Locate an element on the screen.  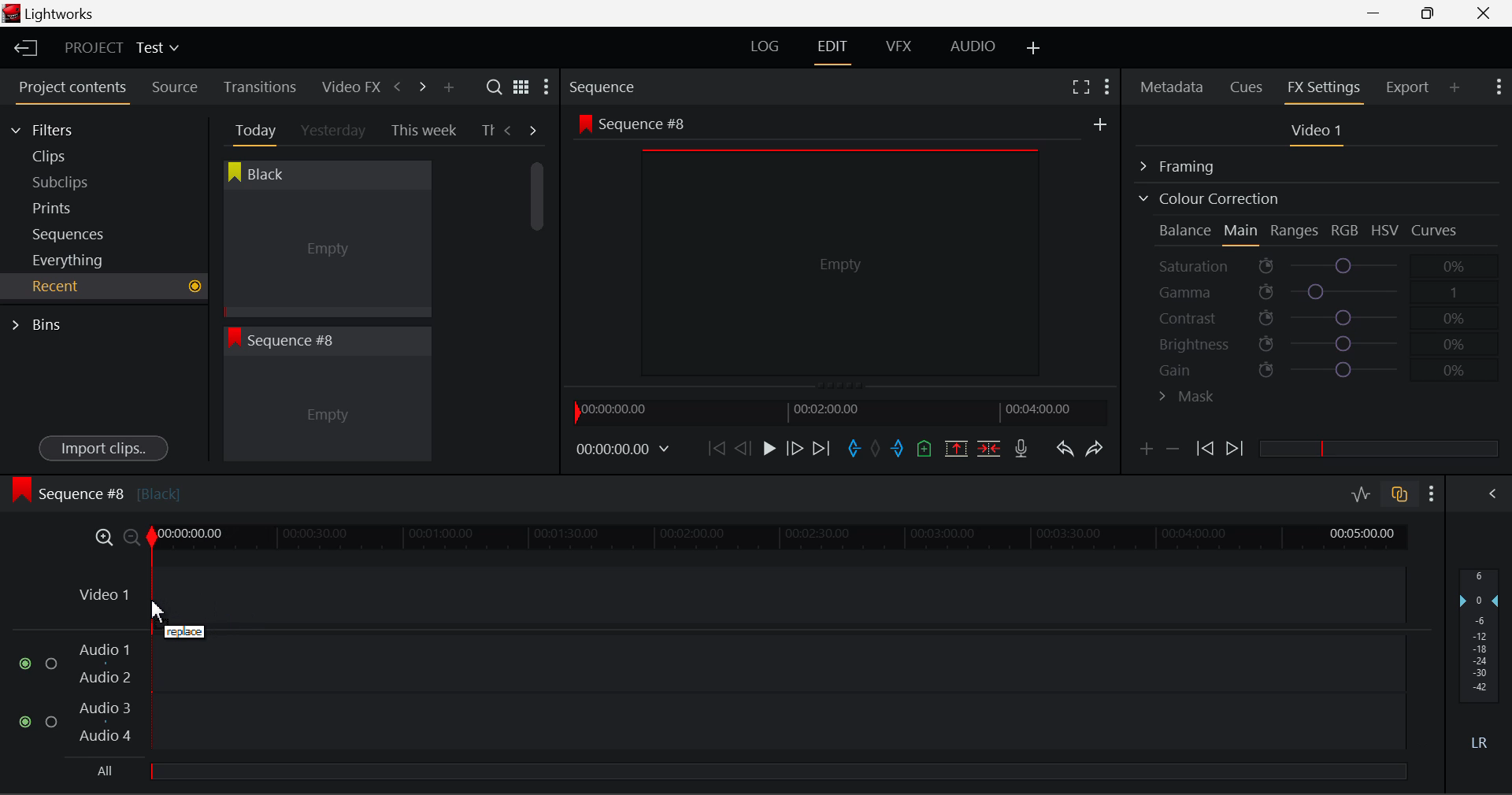
LOG Layout is located at coordinates (764, 46).